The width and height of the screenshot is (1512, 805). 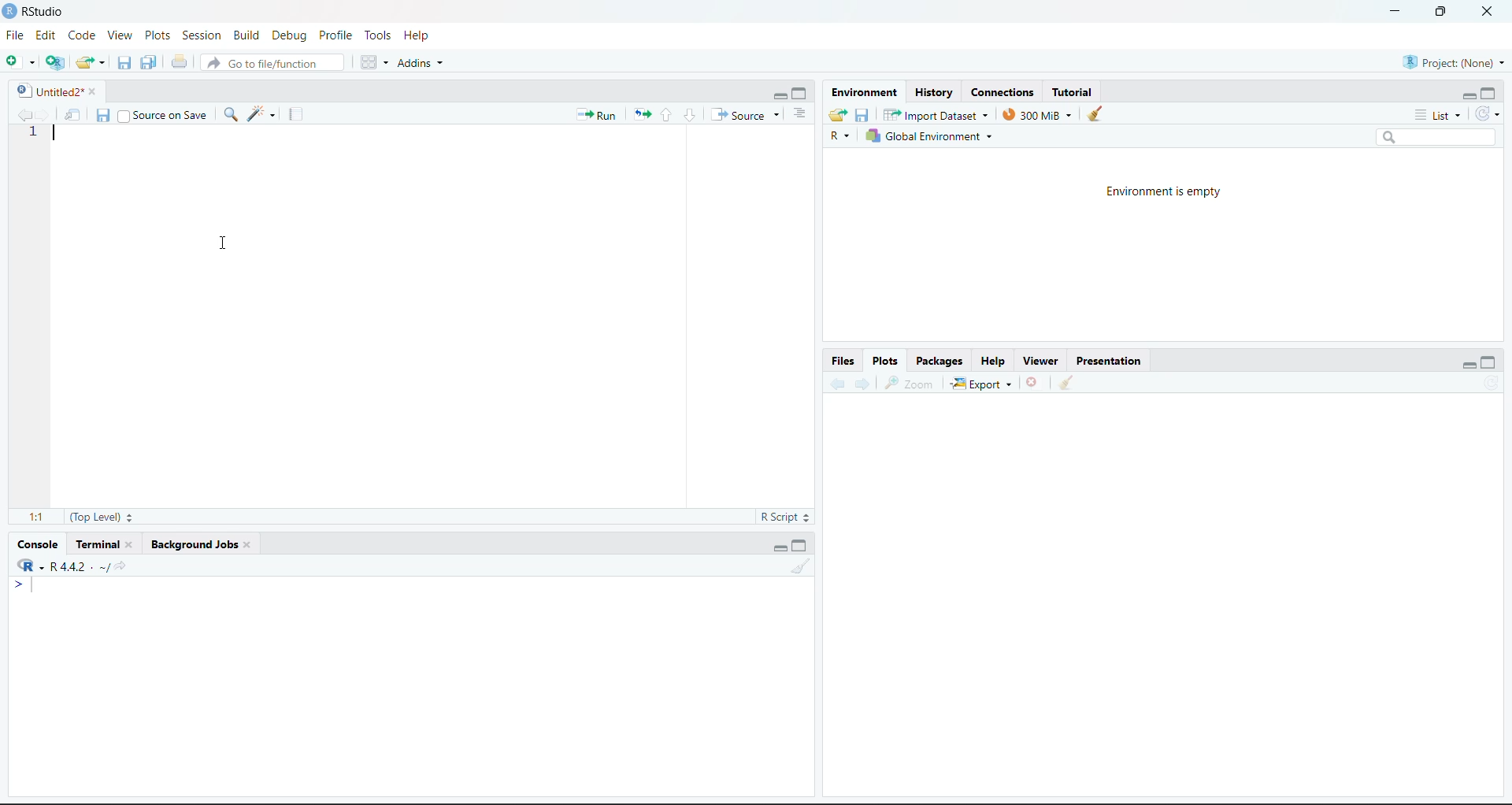 I want to click on Go to file/function, so click(x=270, y=63).